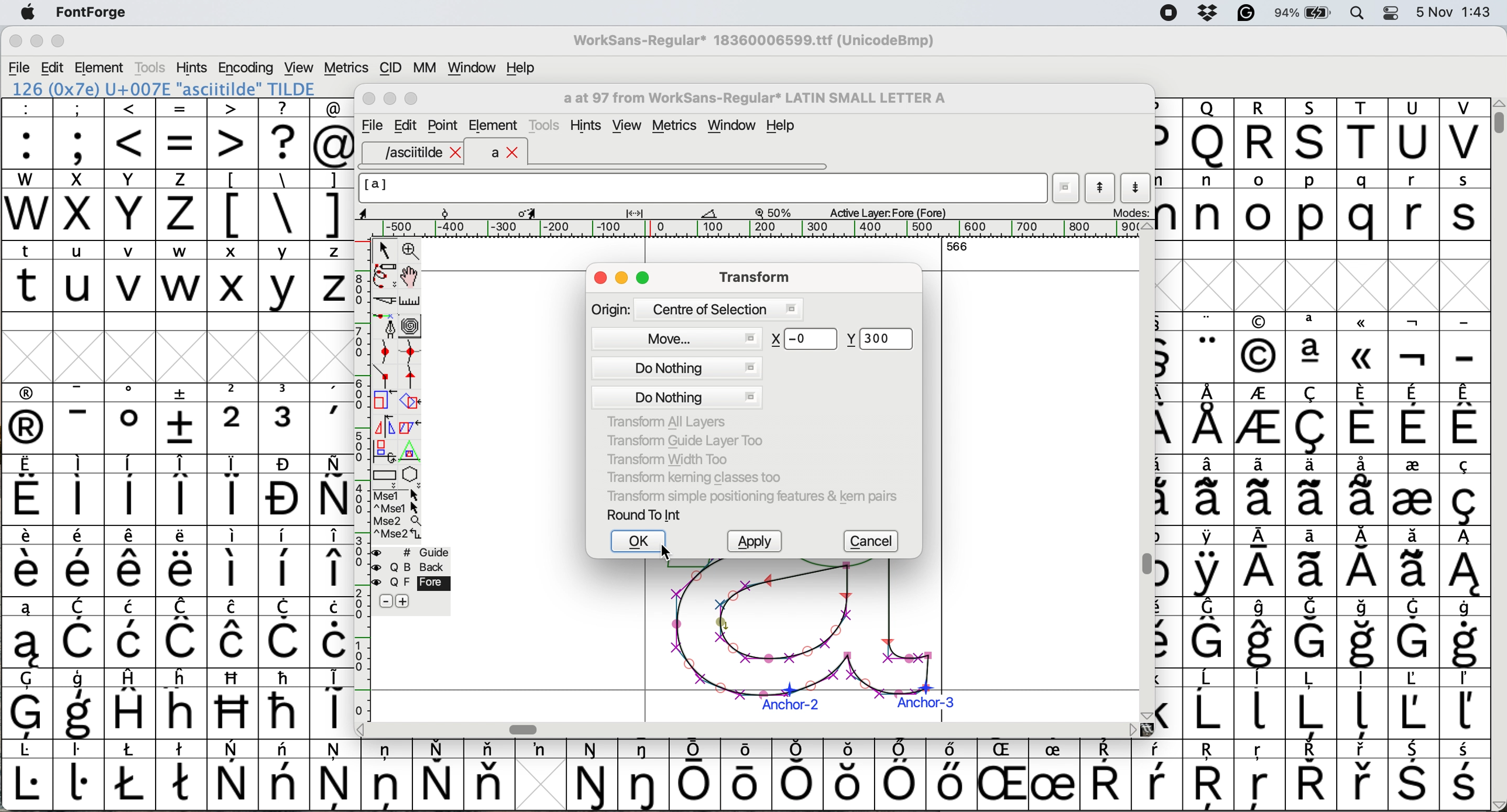 This screenshot has width=1507, height=812. Describe the element at coordinates (1208, 562) in the screenshot. I see `symbol` at that location.